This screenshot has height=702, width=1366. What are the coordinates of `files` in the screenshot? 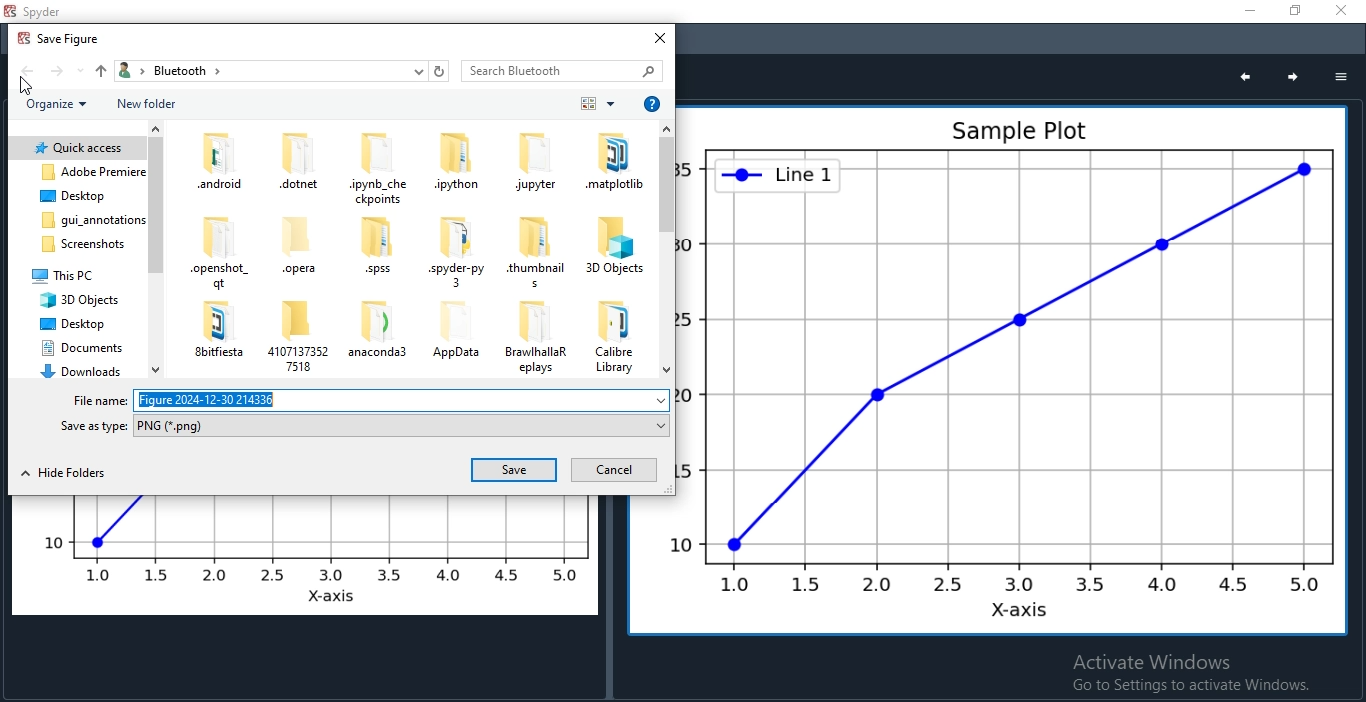 It's located at (223, 251).